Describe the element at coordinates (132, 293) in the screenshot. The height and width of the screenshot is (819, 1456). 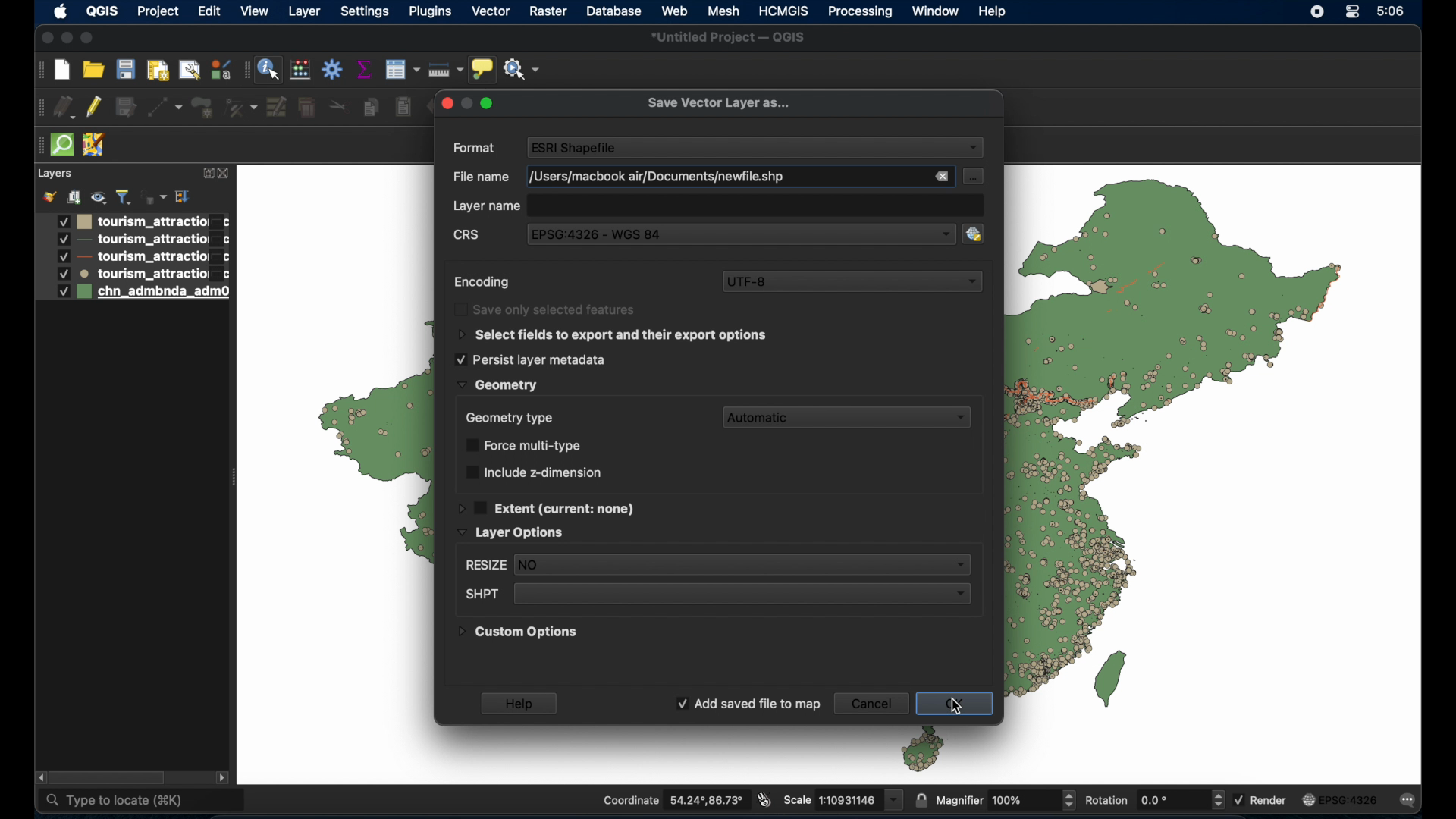
I see `layer 5` at that location.